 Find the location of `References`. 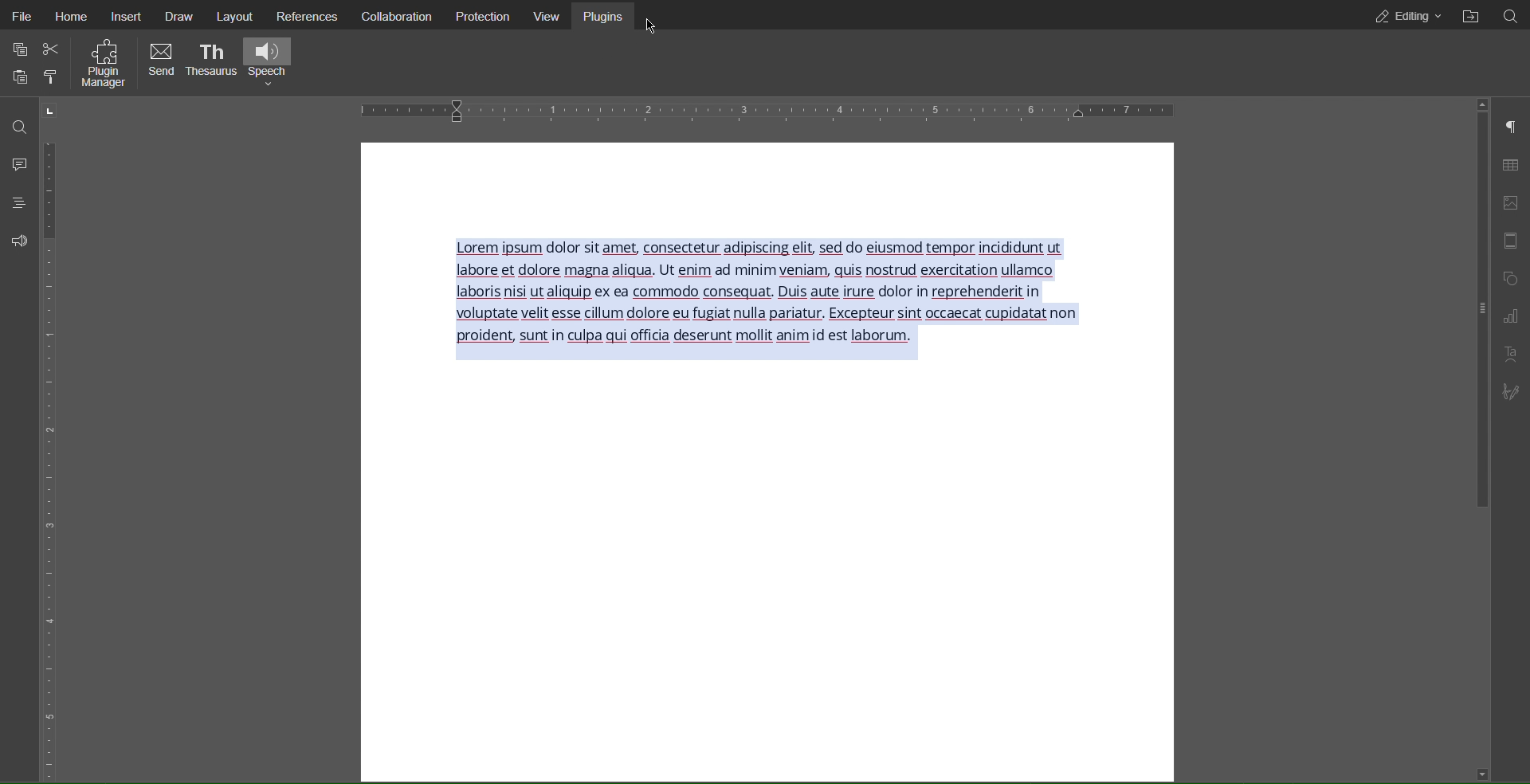

References is located at coordinates (312, 16).